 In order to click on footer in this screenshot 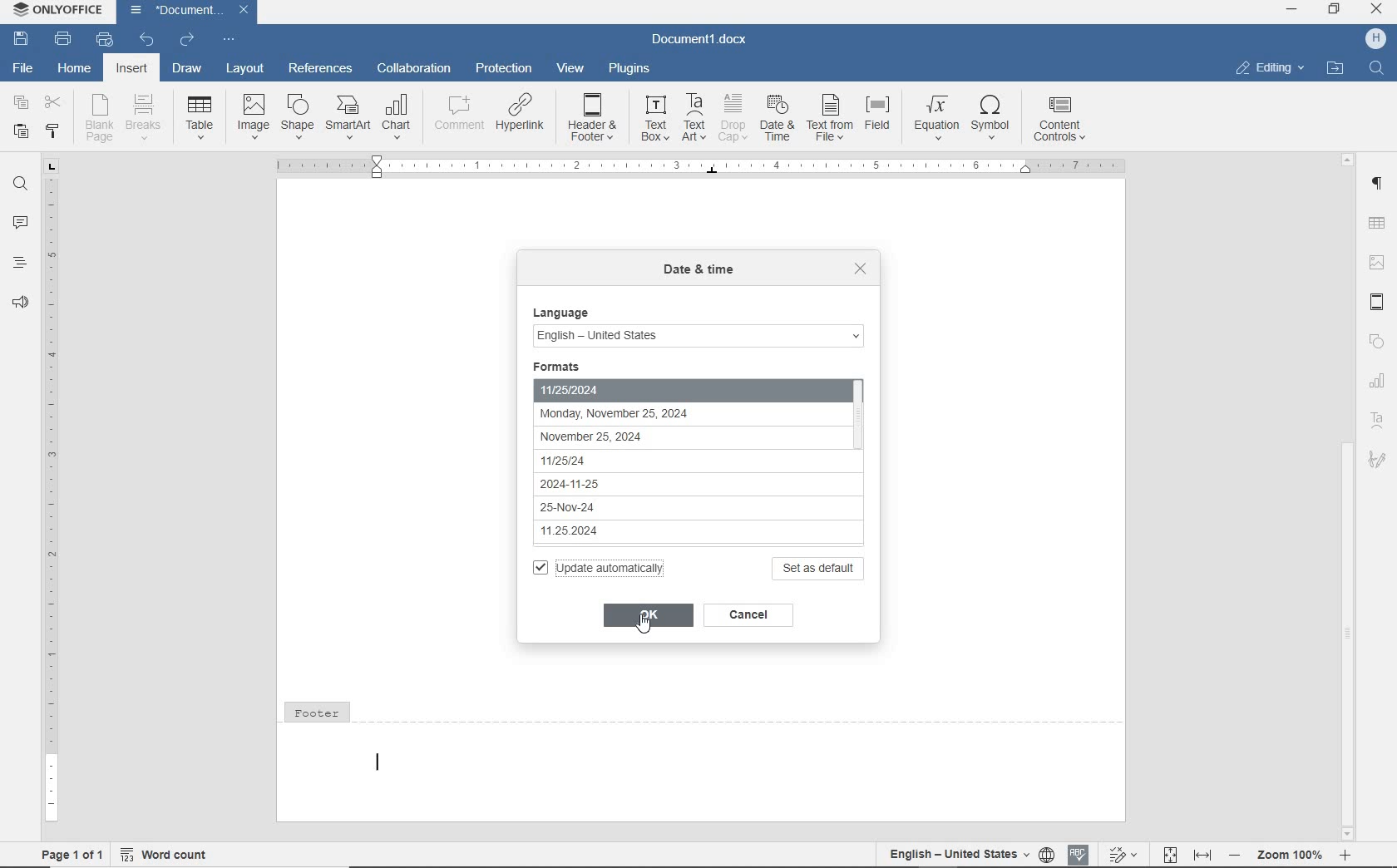, I will do `click(703, 758)`.